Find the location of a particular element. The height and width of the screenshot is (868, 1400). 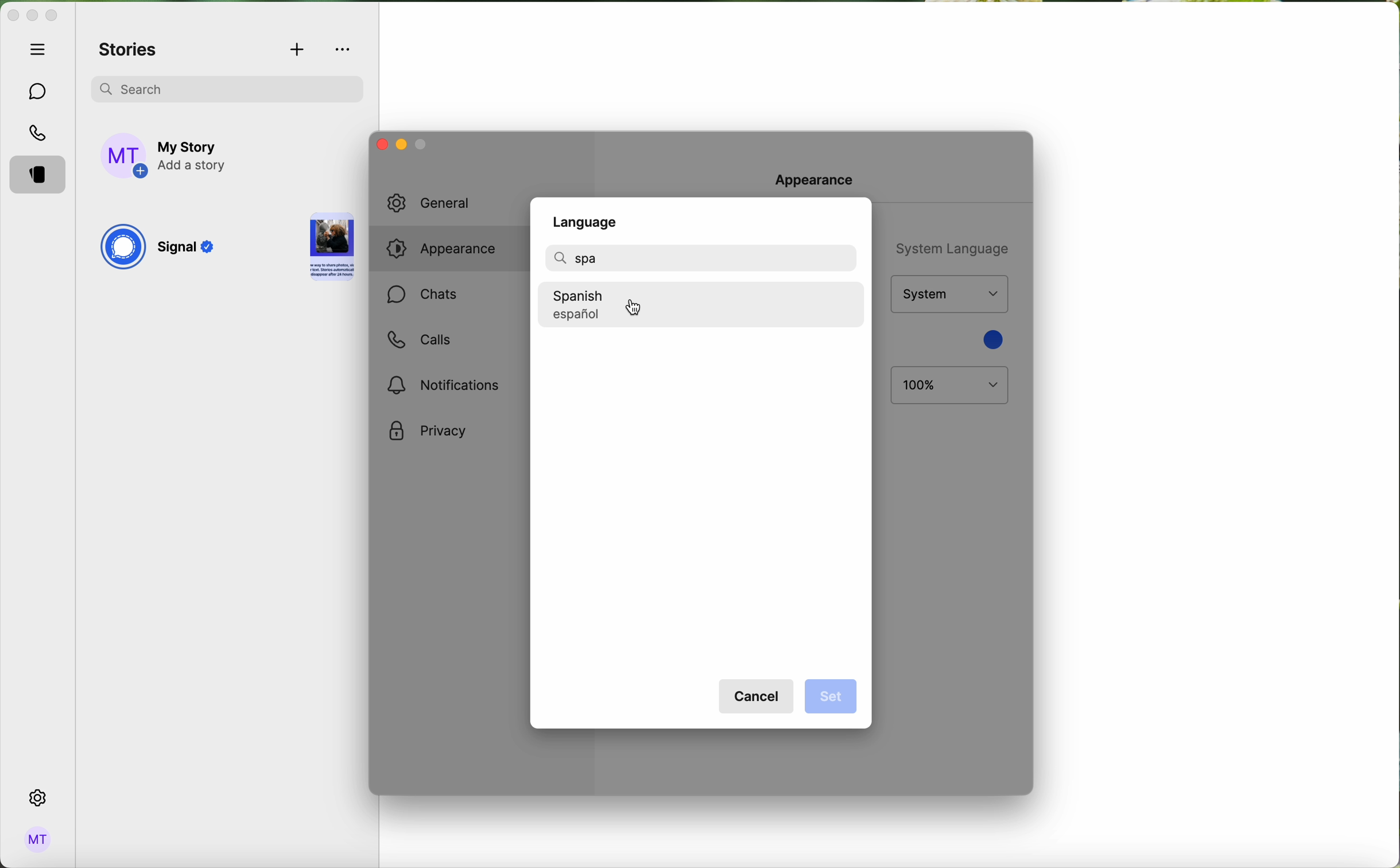

cursor is located at coordinates (636, 307).